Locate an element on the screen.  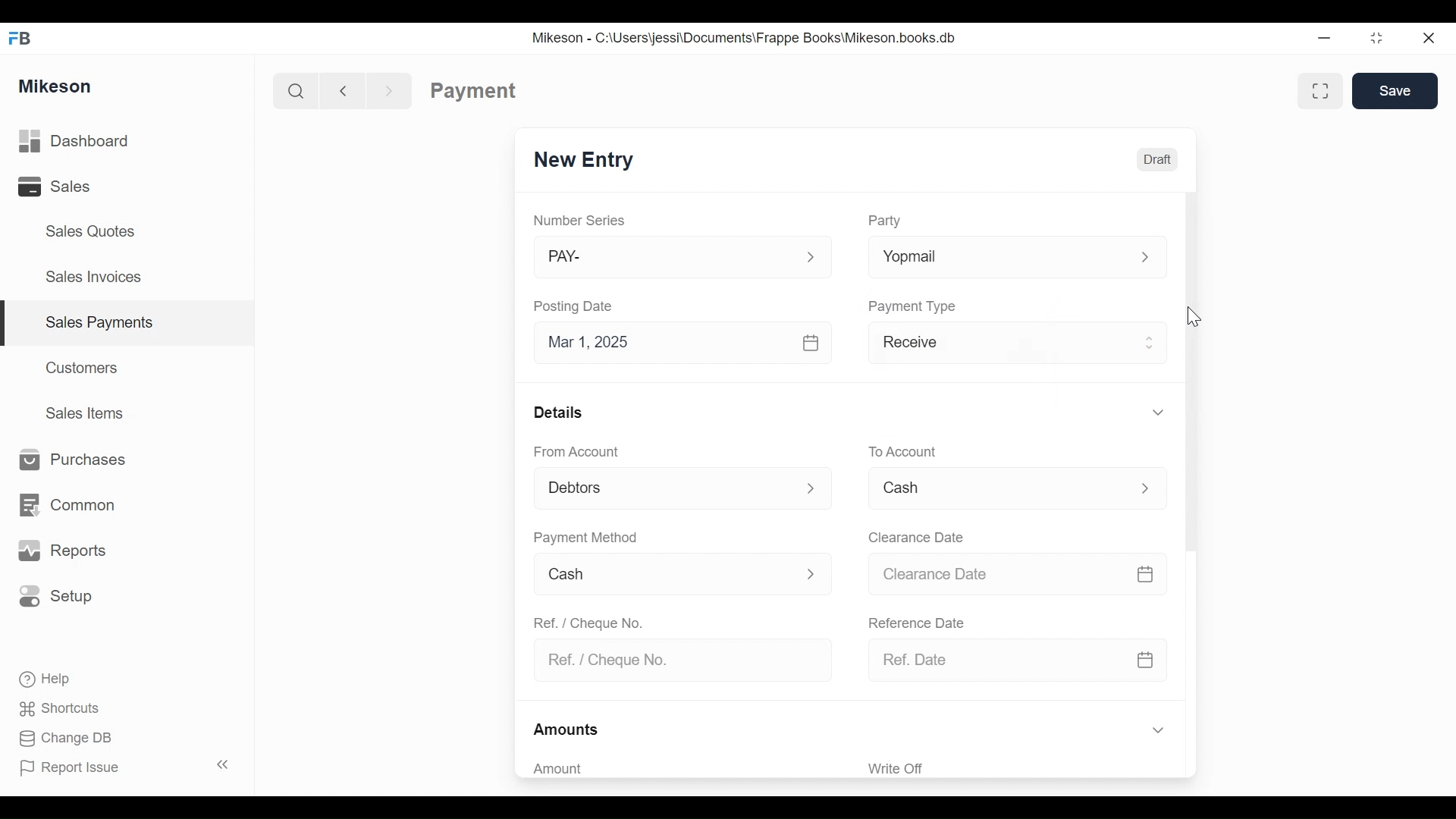
Reference date is located at coordinates (925, 622).